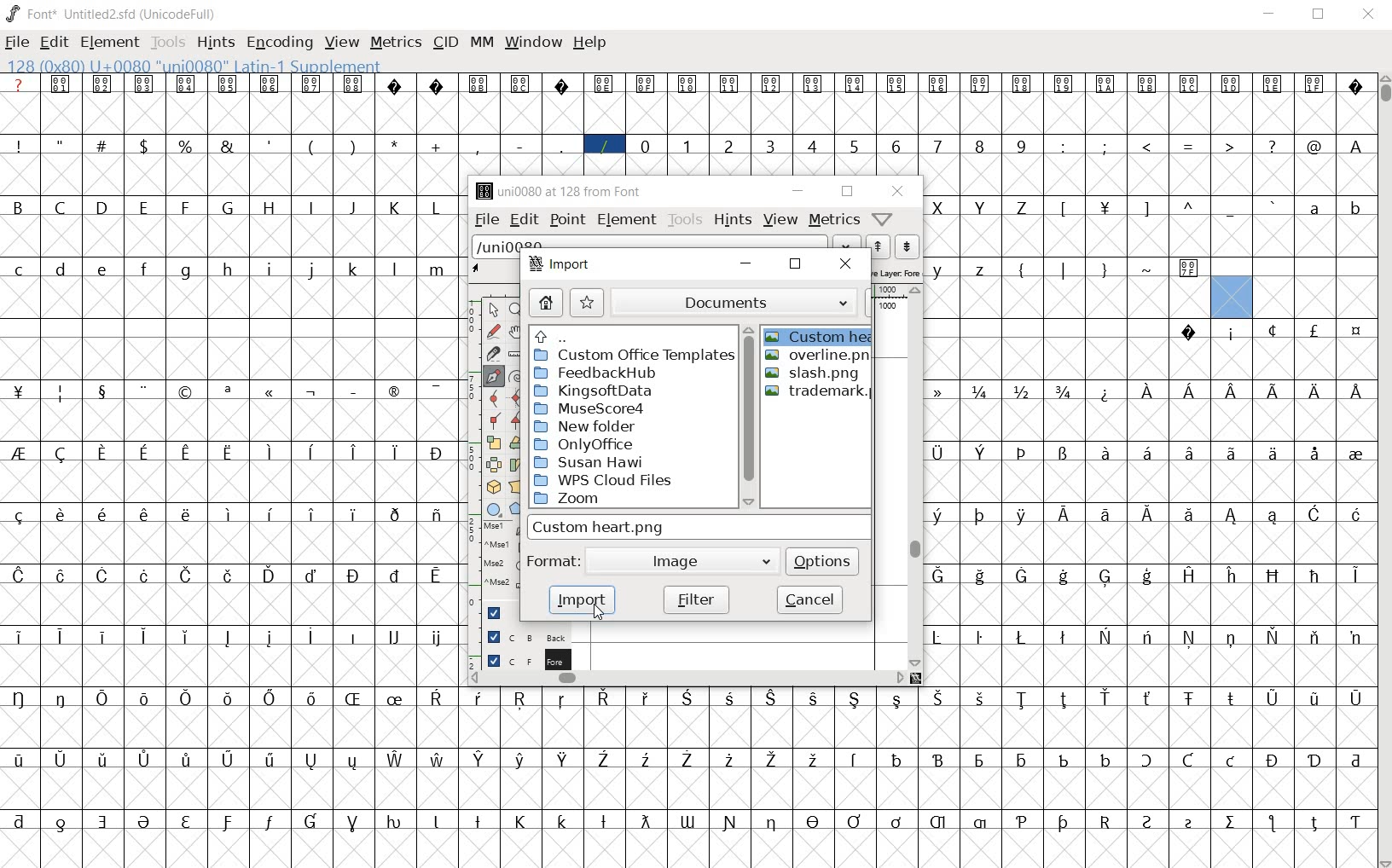 The width and height of the screenshot is (1392, 868). What do you see at coordinates (101, 698) in the screenshot?
I see `glyph` at bounding box center [101, 698].